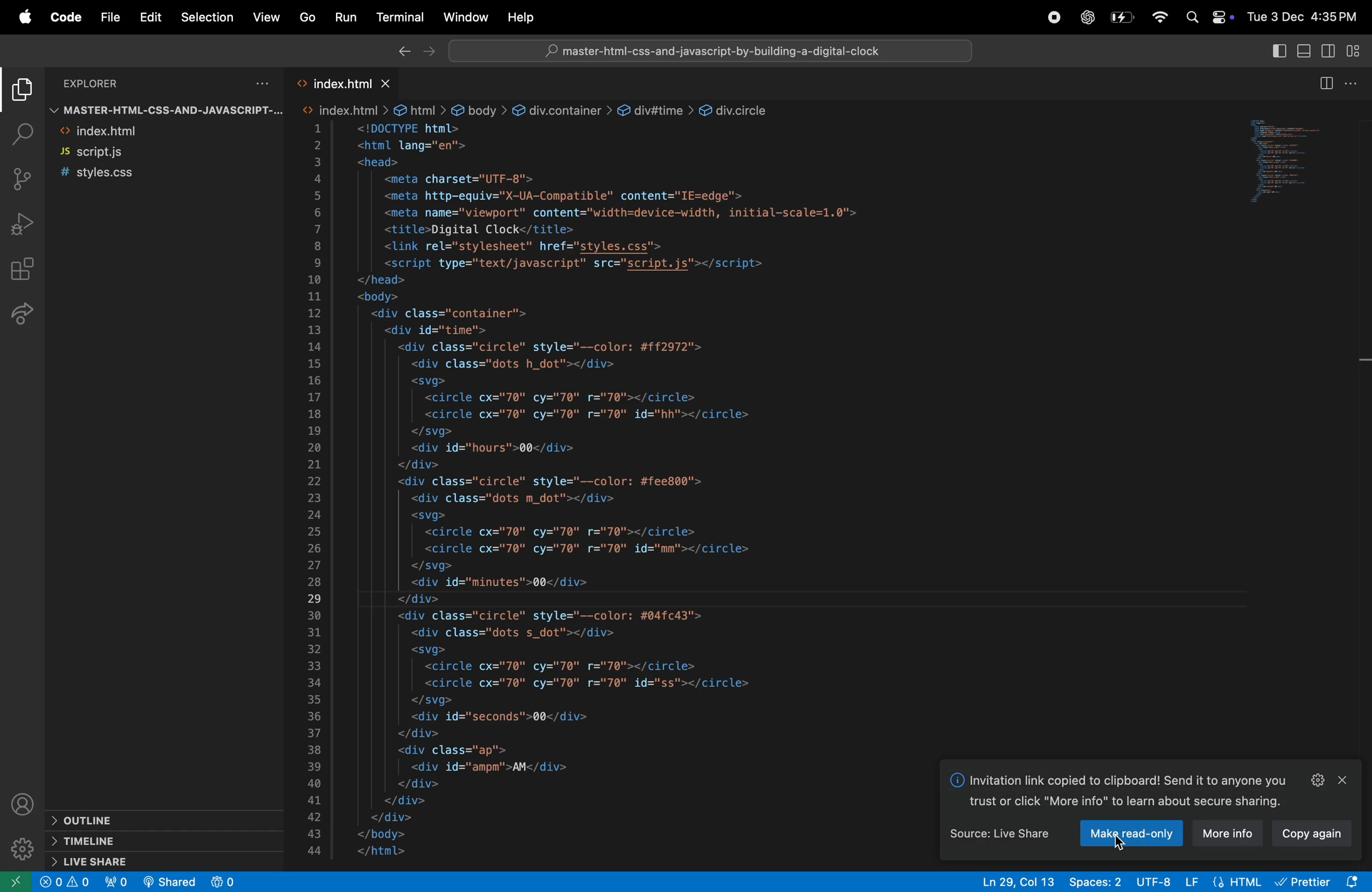  I want to click on date and time, so click(1305, 16).